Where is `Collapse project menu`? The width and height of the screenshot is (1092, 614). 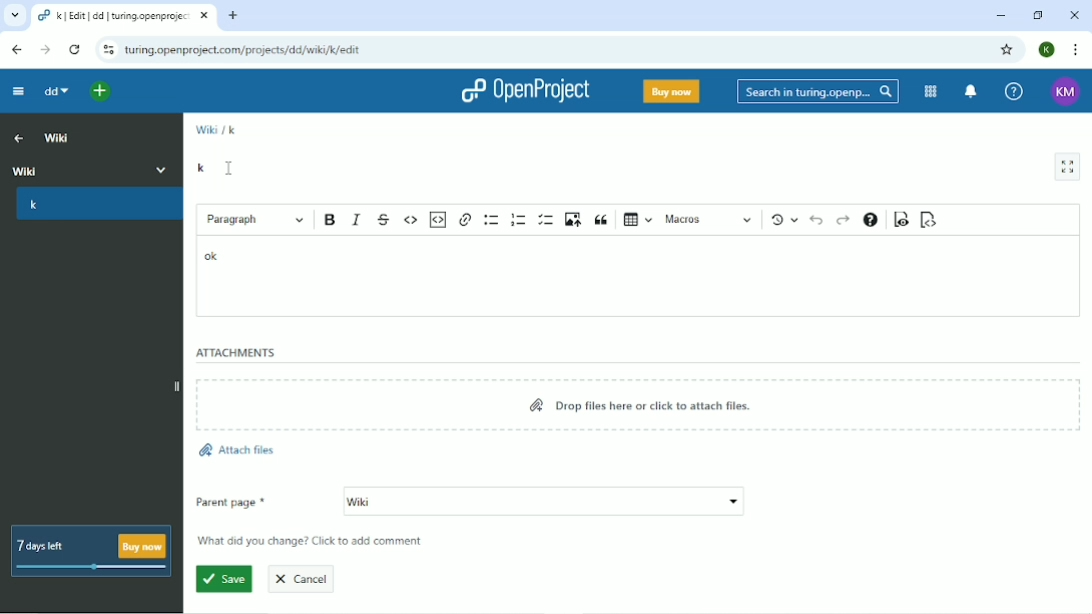 Collapse project menu is located at coordinates (17, 93).